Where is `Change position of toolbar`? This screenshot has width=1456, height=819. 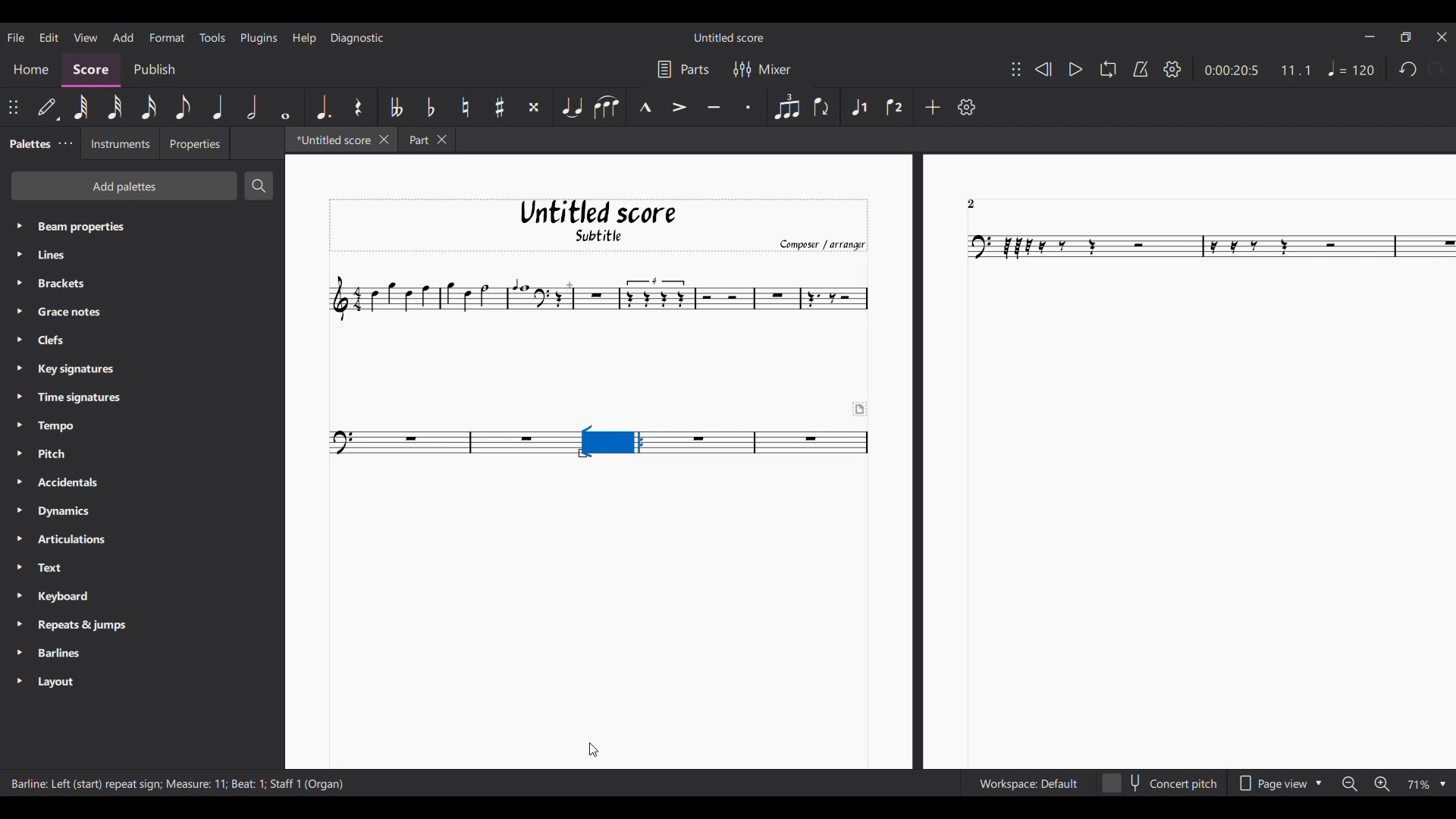 Change position of toolbar is located at coordinates (1016, 69).